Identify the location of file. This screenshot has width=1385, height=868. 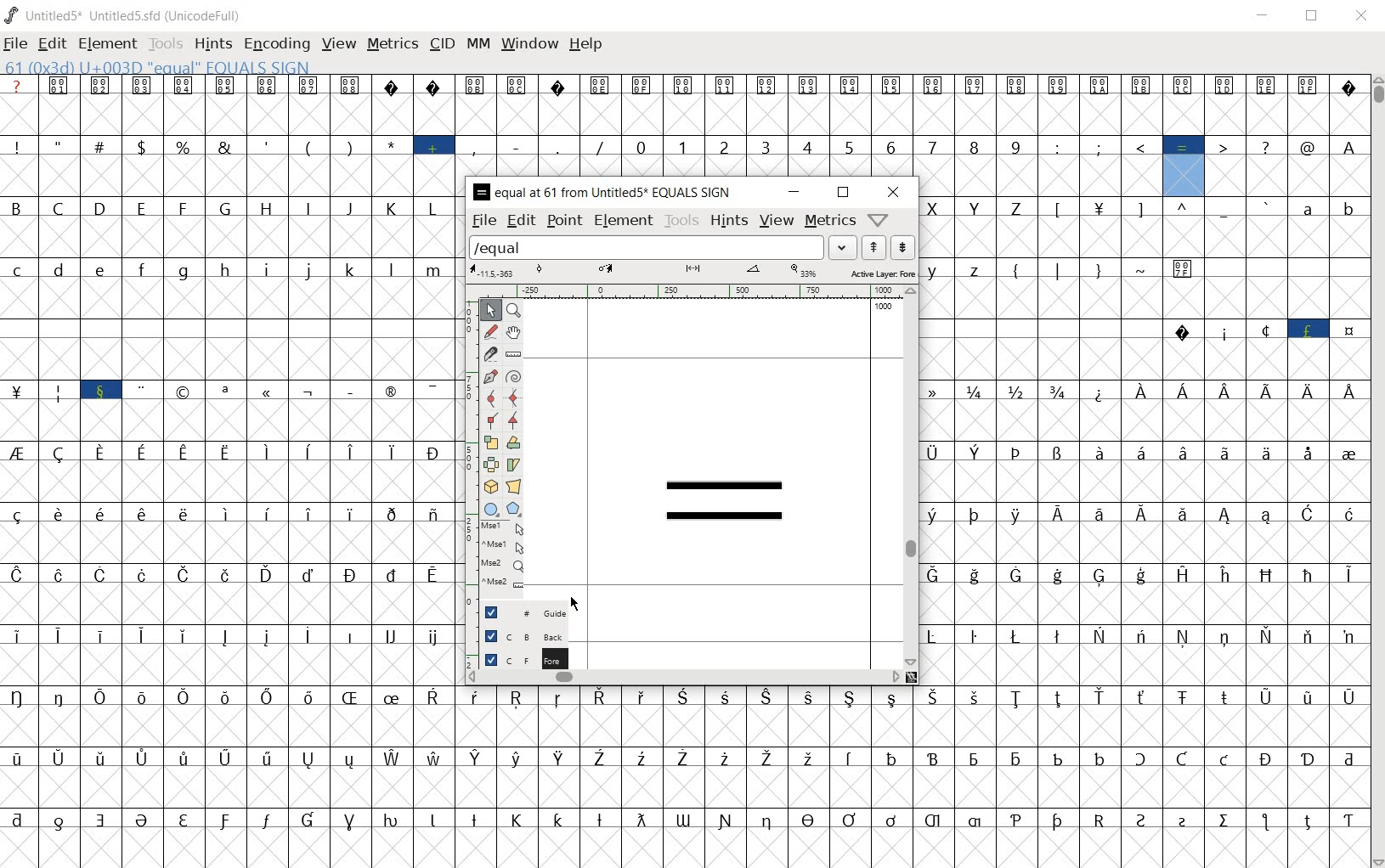
(14, 45).